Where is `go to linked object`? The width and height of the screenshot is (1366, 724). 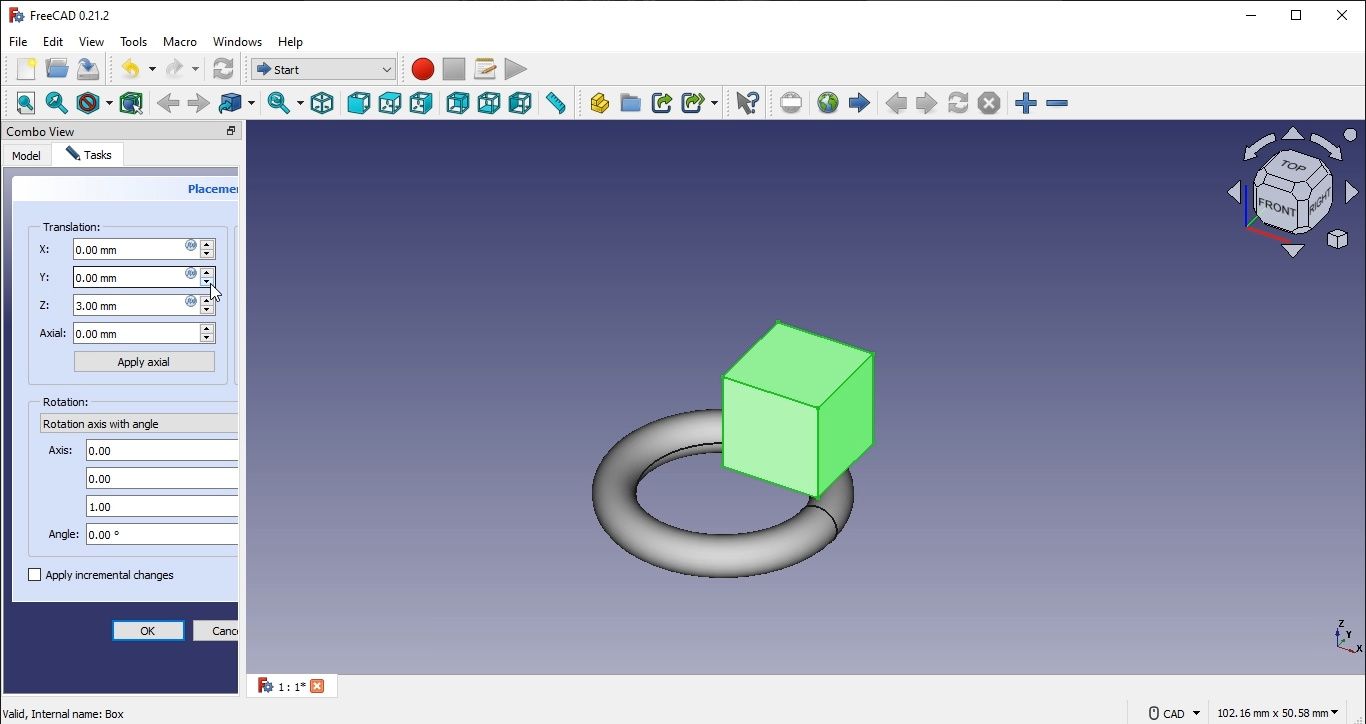 go to linked object is located at coordinates (237, 103).